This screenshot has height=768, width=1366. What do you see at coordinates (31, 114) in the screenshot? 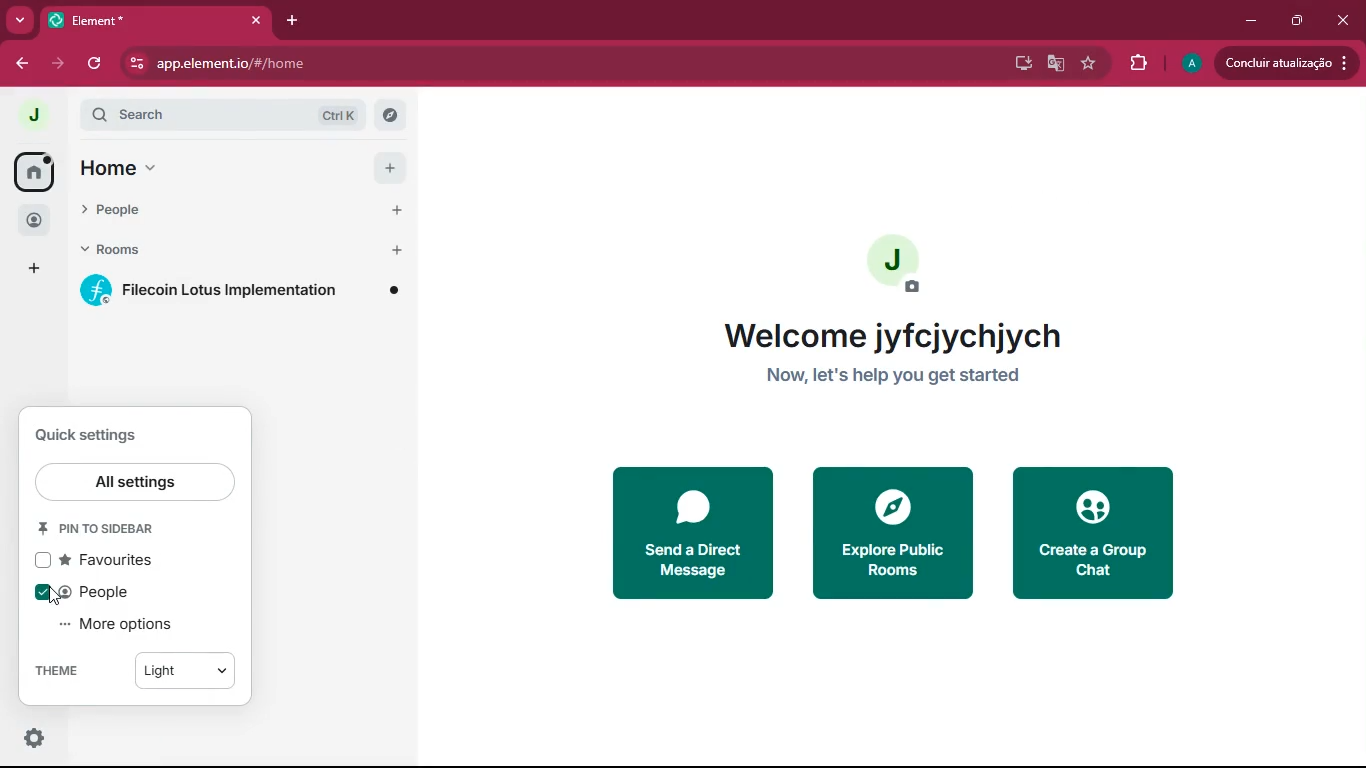
I see `profile picture` at bounding box center [31, 114].